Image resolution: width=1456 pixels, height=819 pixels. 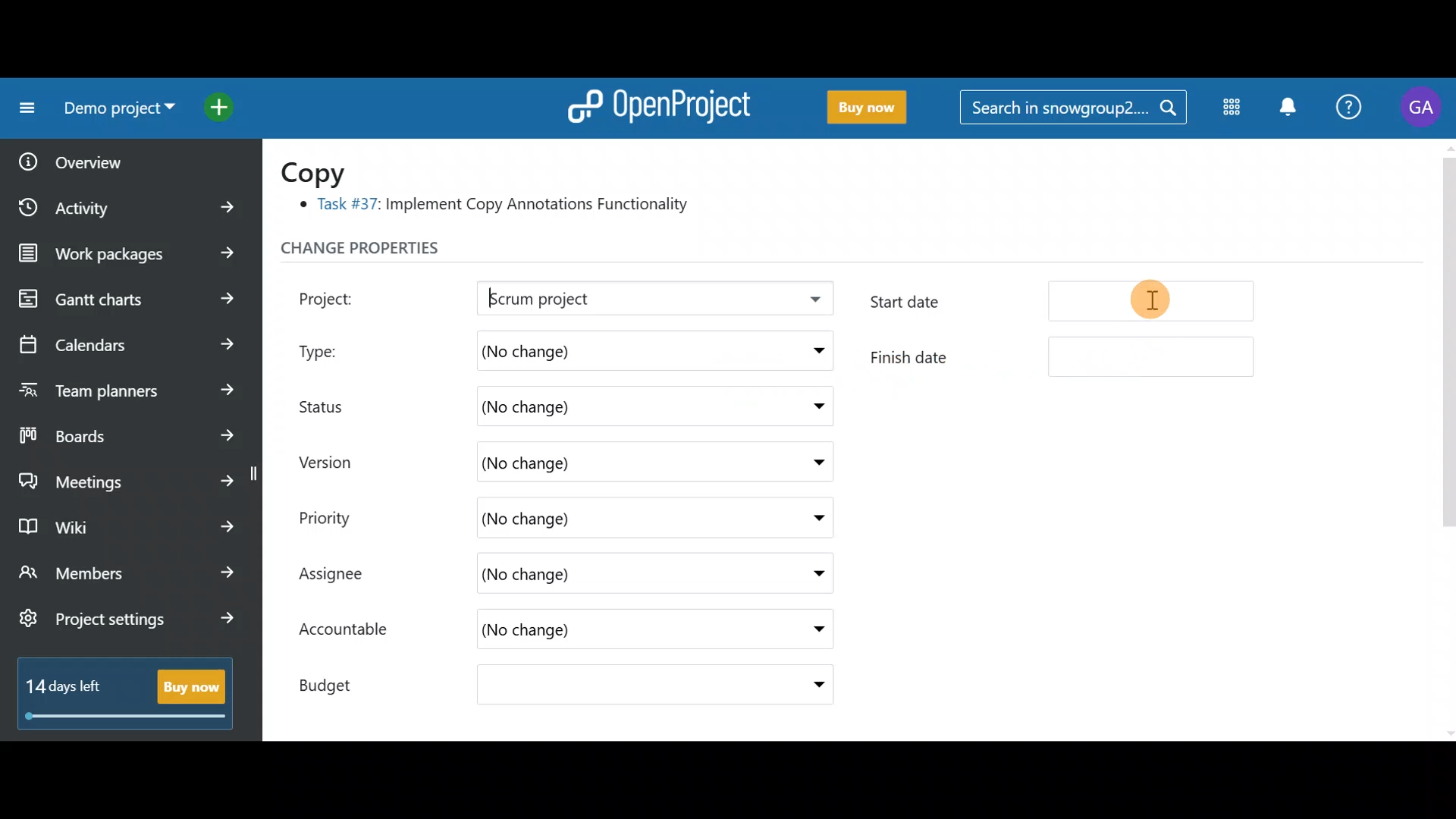 I want to click on Budget, so click(x=340, y=681).